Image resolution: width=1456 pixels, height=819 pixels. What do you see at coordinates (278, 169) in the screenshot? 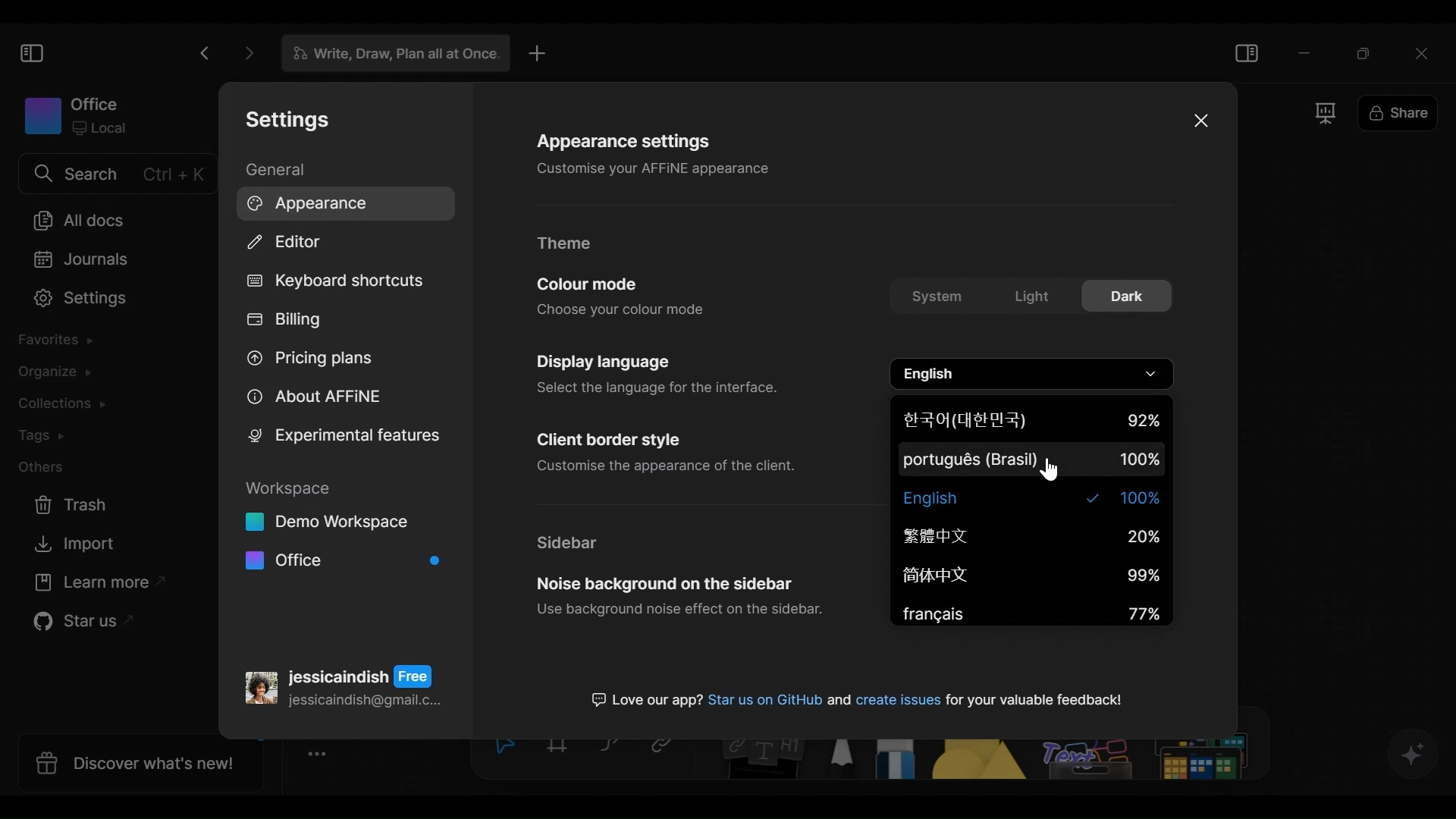
I see `General` at bounding box center [278, 169].